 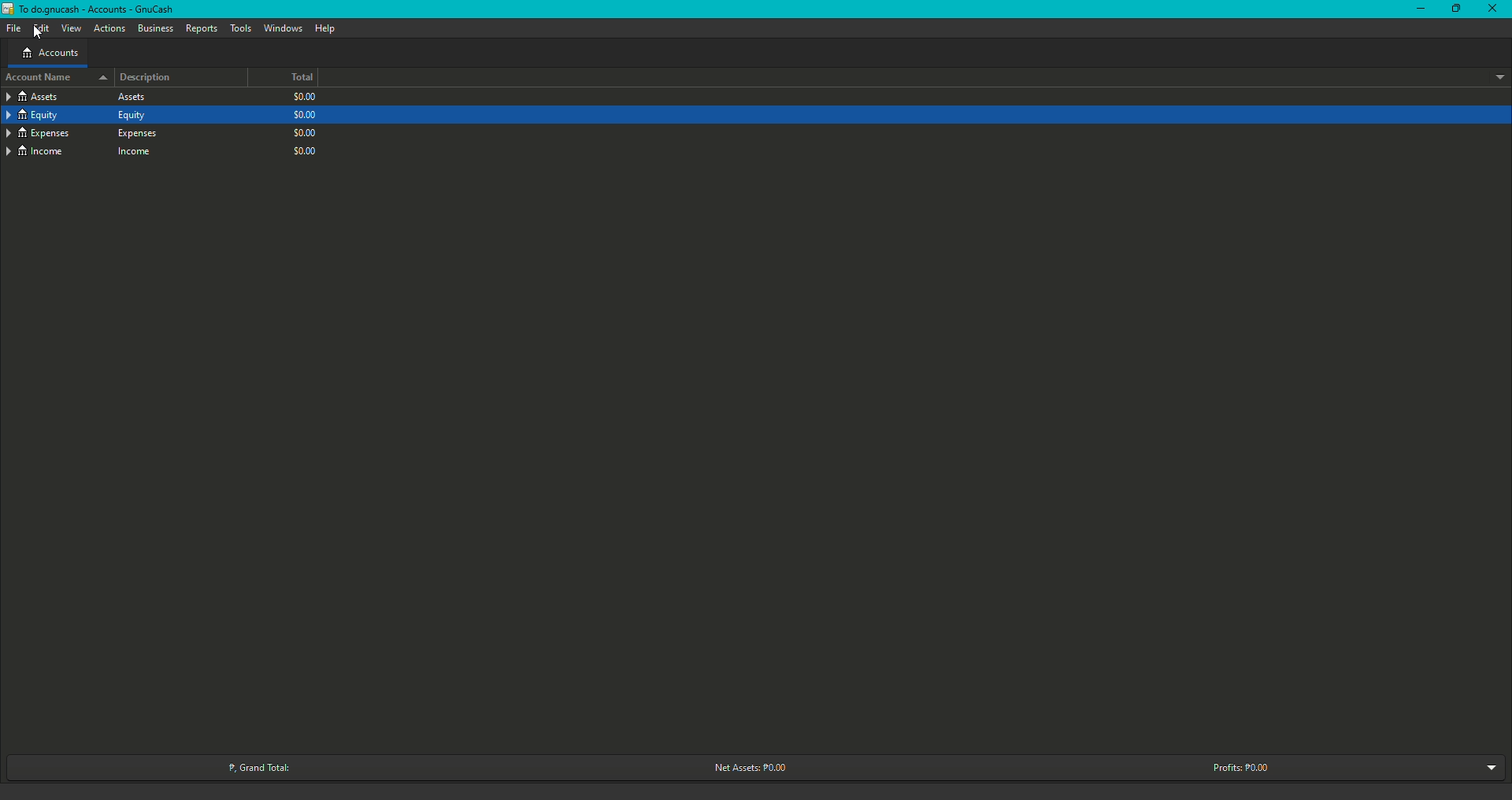 I want to click on Actions, so click(x=109, y=29).